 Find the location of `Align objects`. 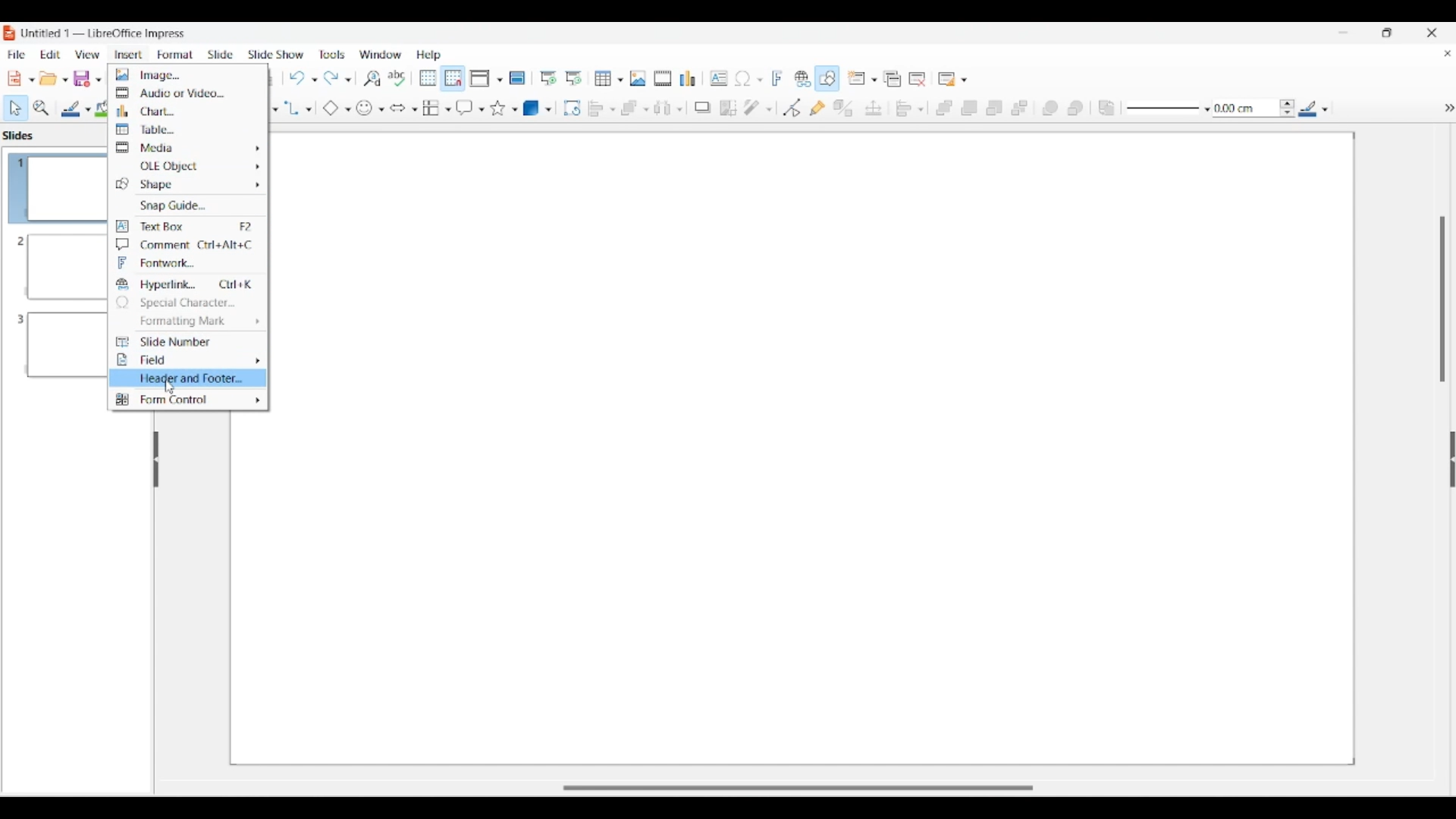

Align objects is located at coordinates (909, 108).